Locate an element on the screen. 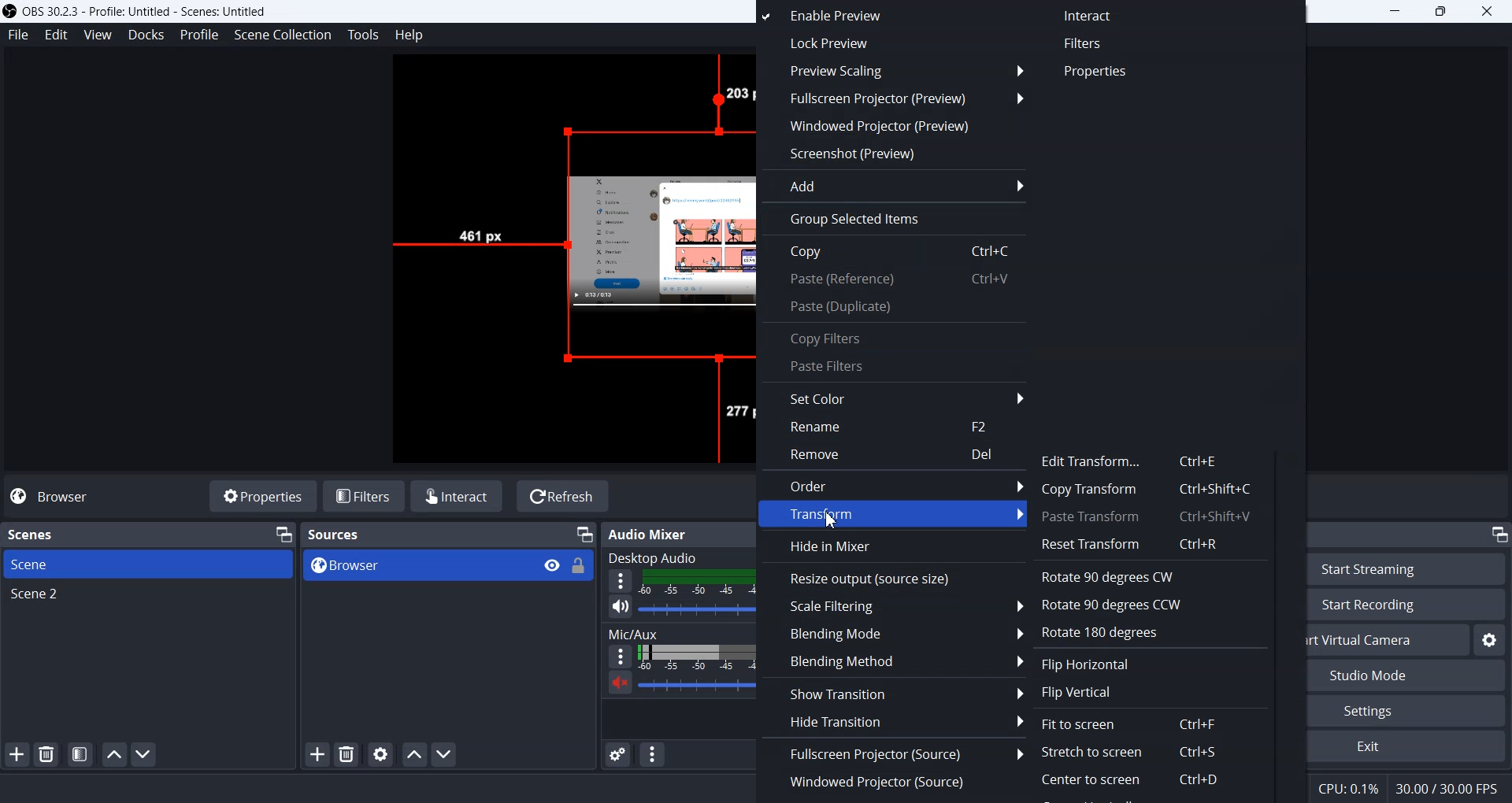 This screenshot has height=803, width=1512. Lock preview is located at coordinates (877, 43).